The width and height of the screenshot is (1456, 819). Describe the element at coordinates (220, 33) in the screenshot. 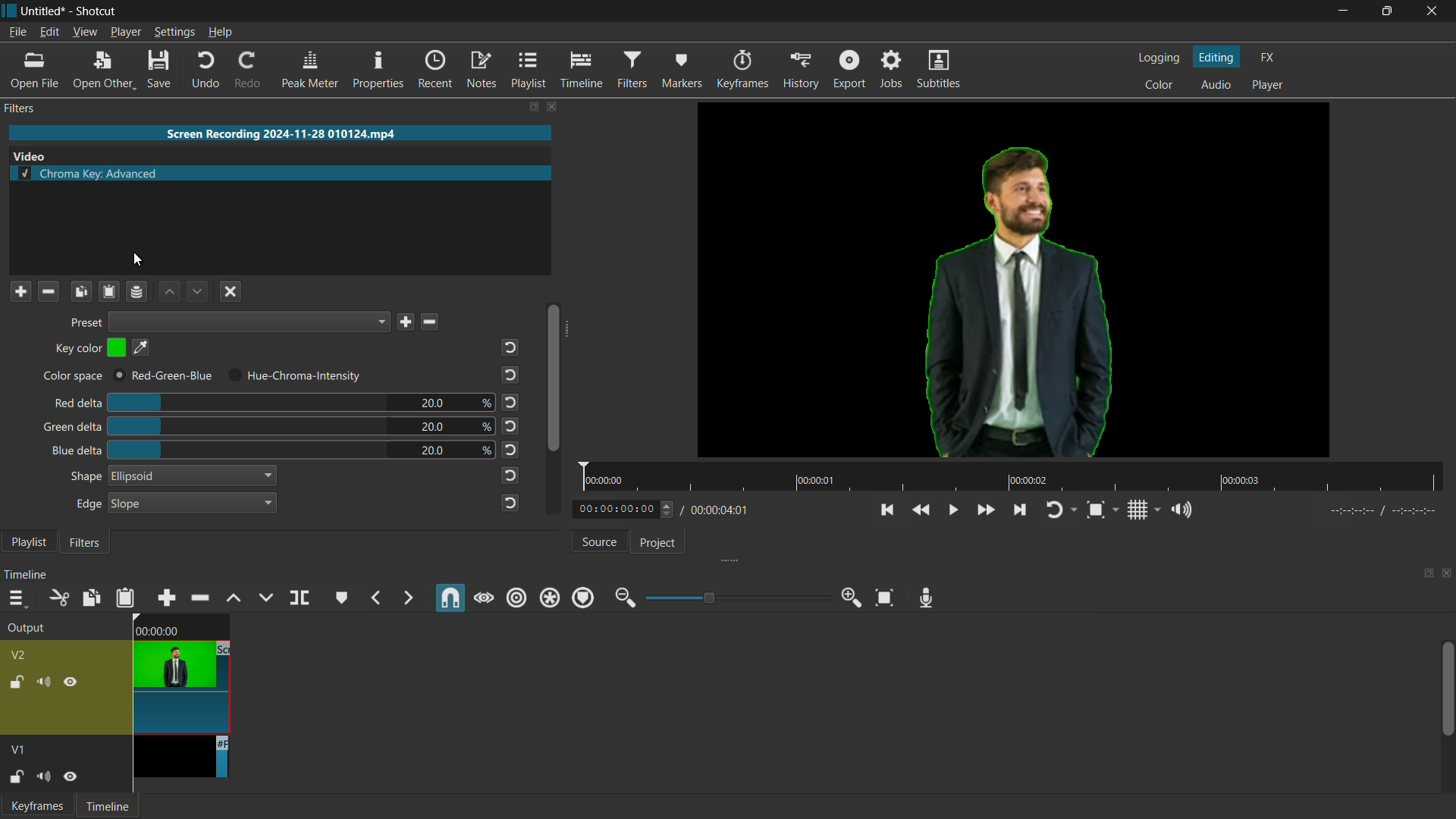

I see `help menu` at that location.